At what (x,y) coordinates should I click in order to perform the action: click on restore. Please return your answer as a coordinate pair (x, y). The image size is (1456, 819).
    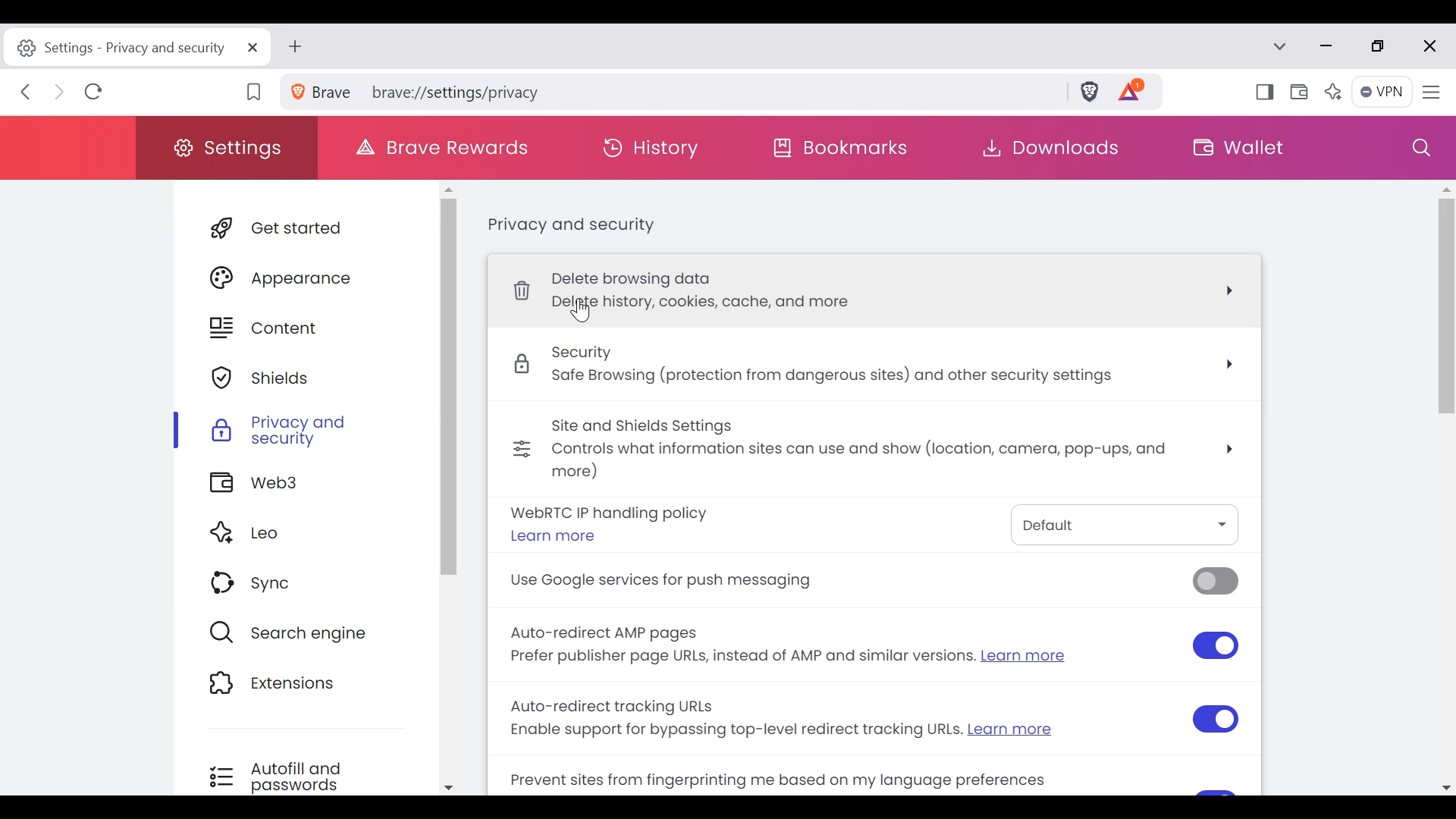
    Looking at the image, I should click on (1385, 48).